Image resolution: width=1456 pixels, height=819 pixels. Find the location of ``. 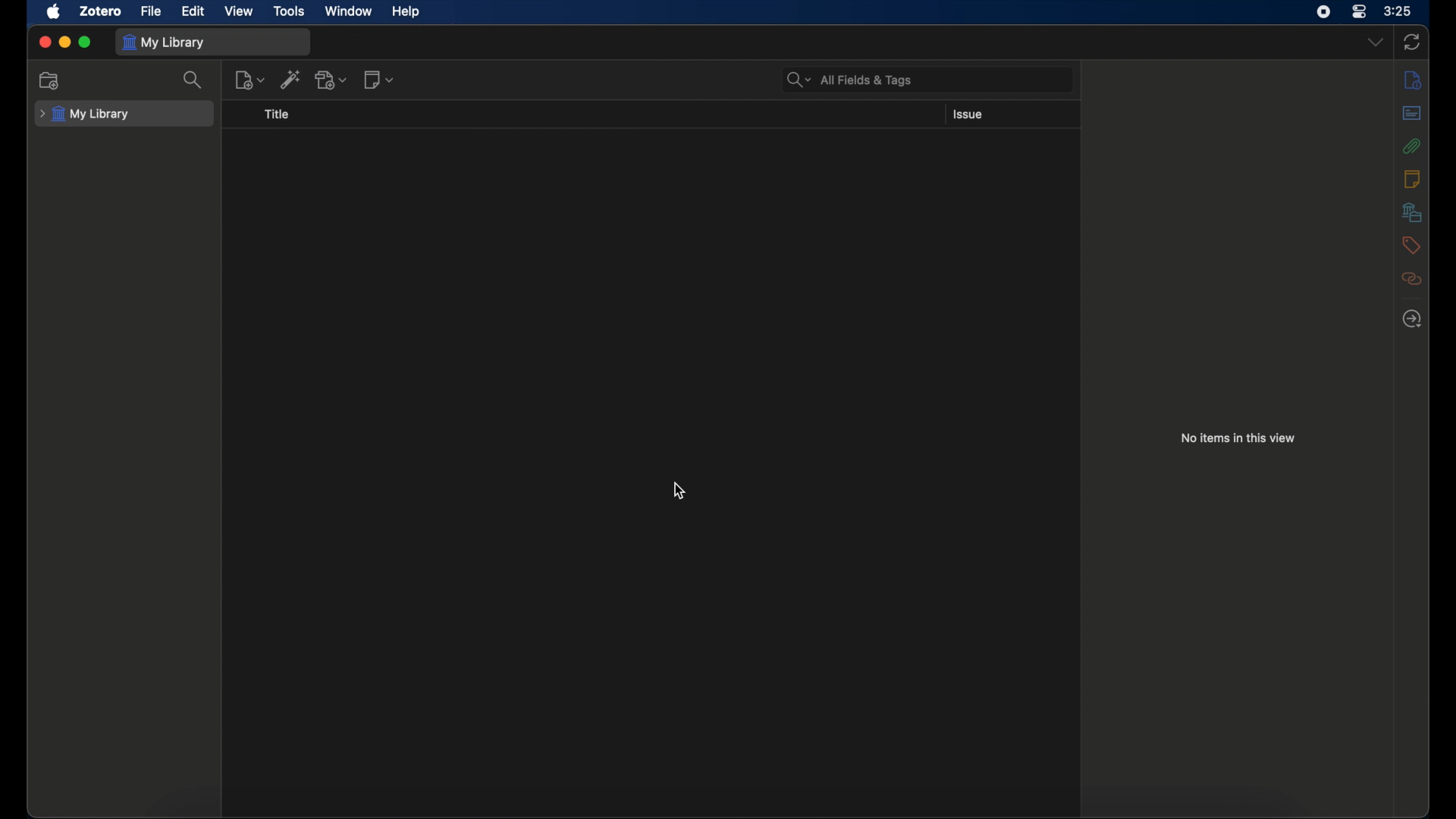

 is located at coordinates (1412, 80).